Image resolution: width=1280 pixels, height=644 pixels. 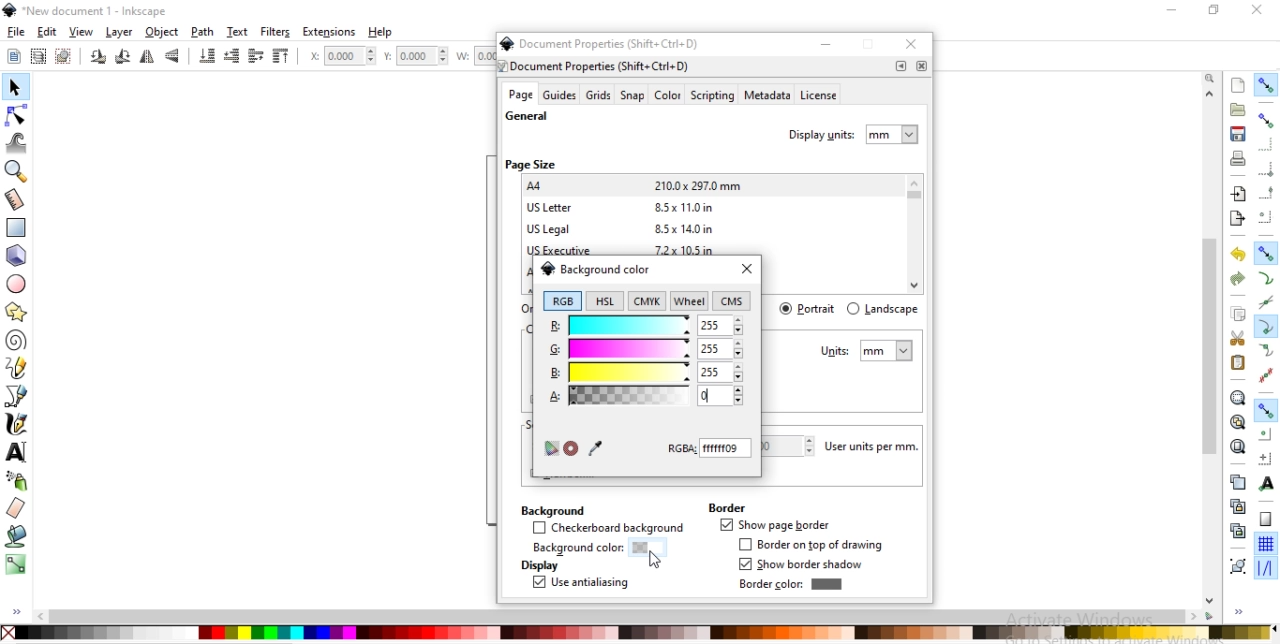 I want to click on rgb, so click(x=562, y=301).